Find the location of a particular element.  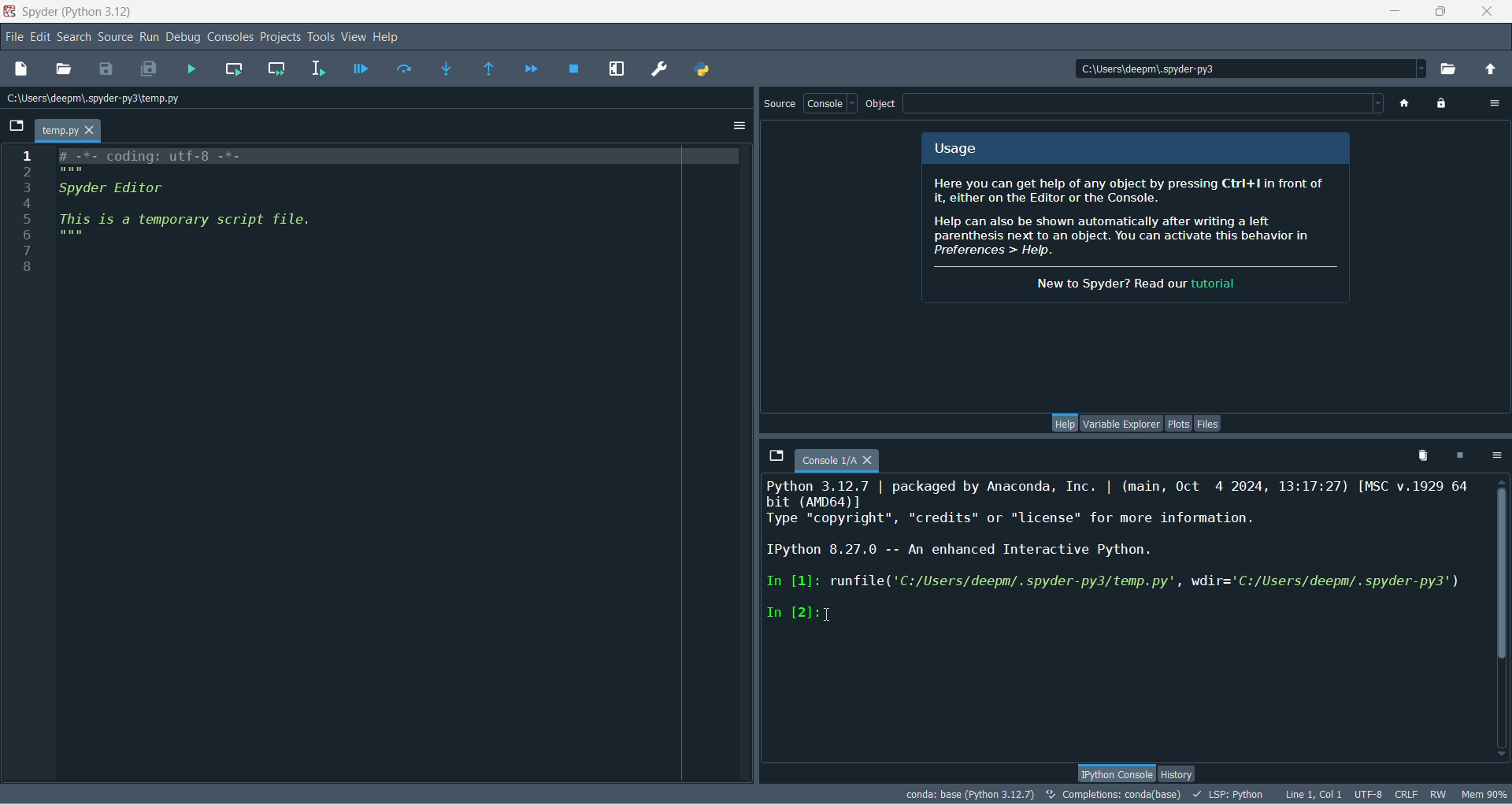

location is located at coordinates (98, 98).